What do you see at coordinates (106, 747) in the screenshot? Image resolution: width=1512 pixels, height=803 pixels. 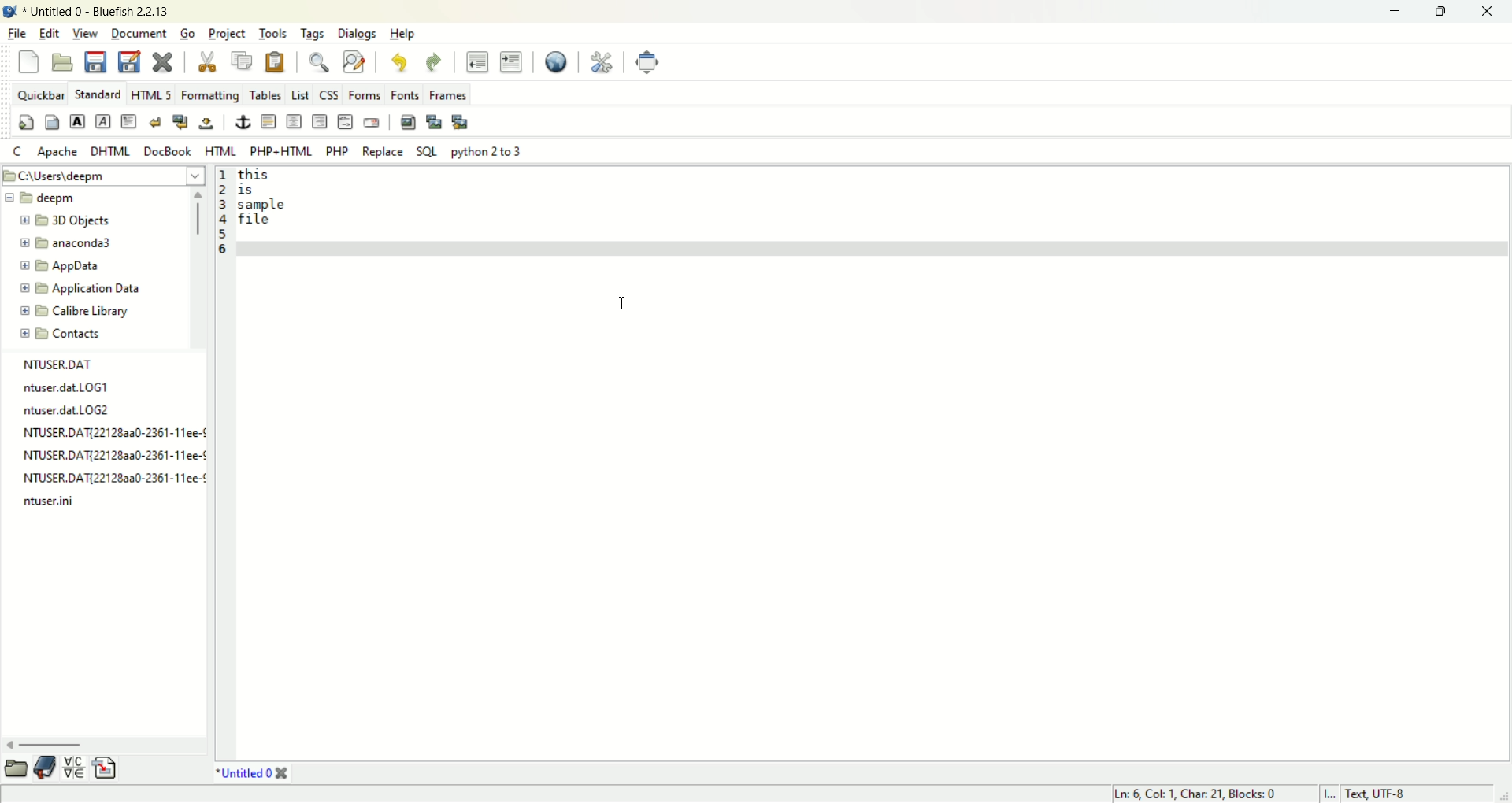 I see `horizontal scroll bar` at bounding box center [106, 747].